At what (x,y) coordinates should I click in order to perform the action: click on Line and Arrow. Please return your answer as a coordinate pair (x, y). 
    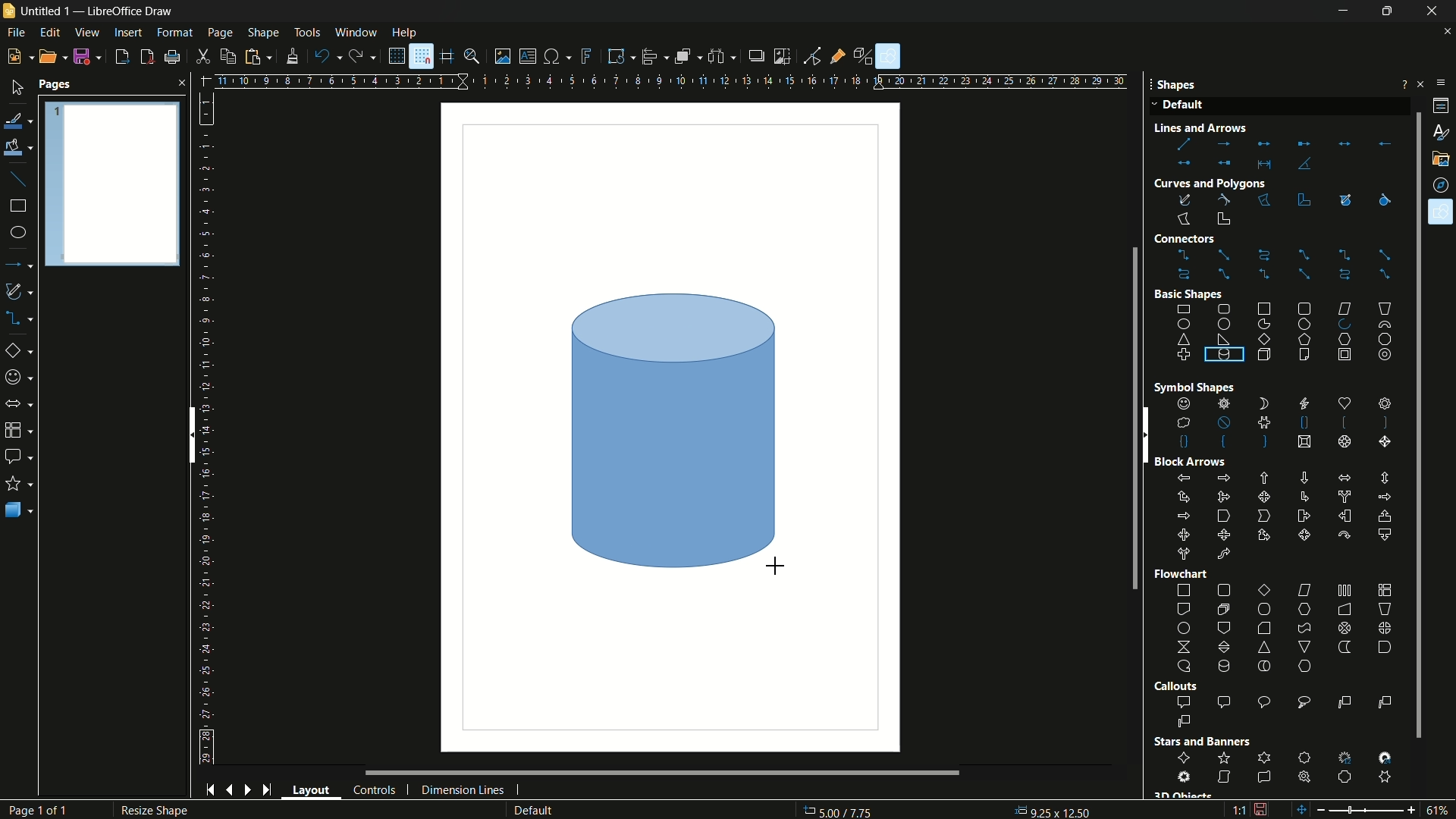
    Looking at the image, I should click on (1224, 127).